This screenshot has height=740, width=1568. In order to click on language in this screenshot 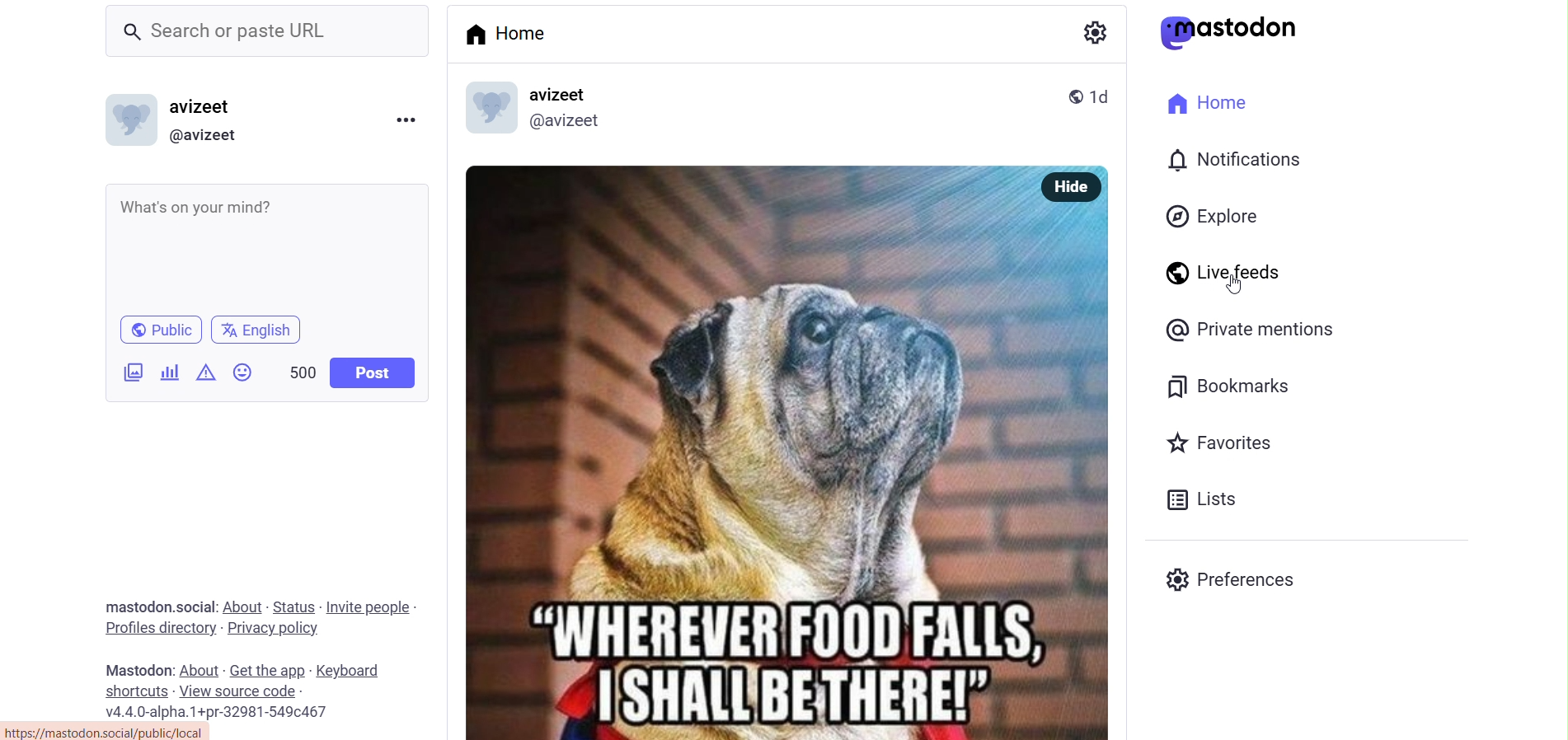, I will do `click(256, 330)`.